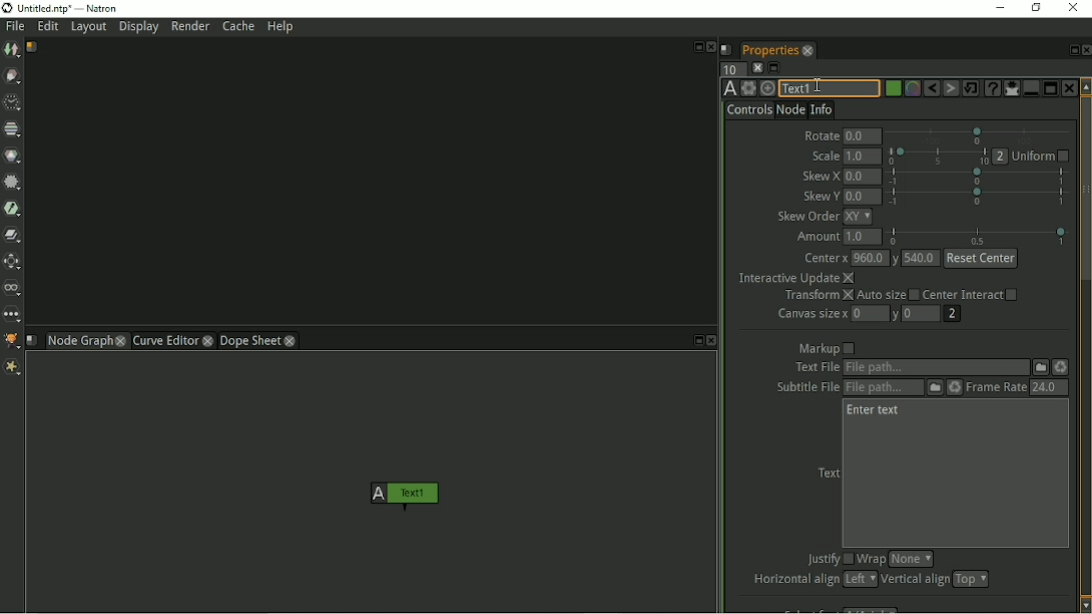 The image size is (1092, 614). What do you see at coordinates (828, 89) in the screenshot?
I see `Text1` at bounding box center [828, 89].